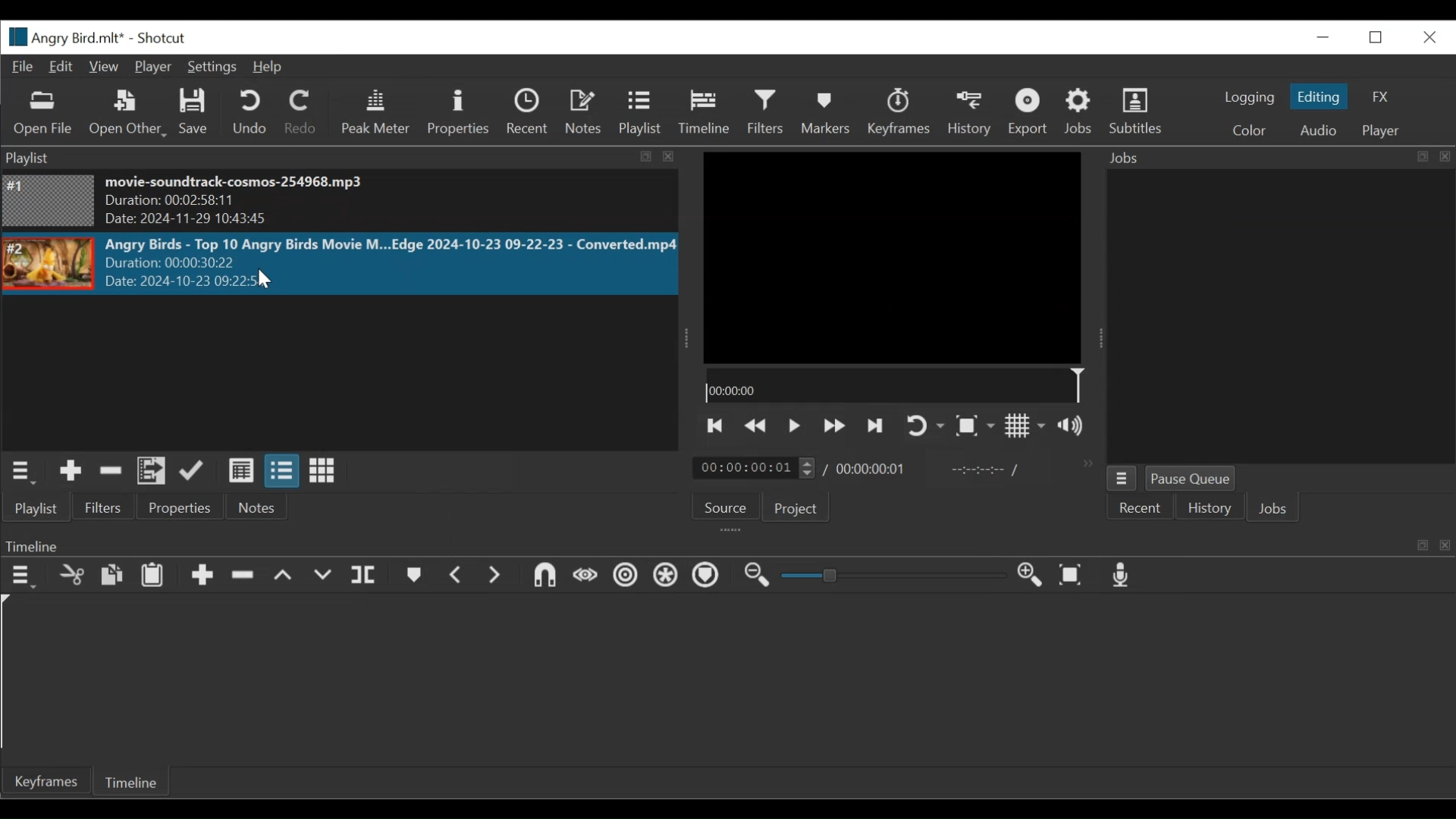 The width and height of the screenshot is (1456, 819). Describe the element at coordinates (251, 112) in the screenshot. I see `Undo` at that location.